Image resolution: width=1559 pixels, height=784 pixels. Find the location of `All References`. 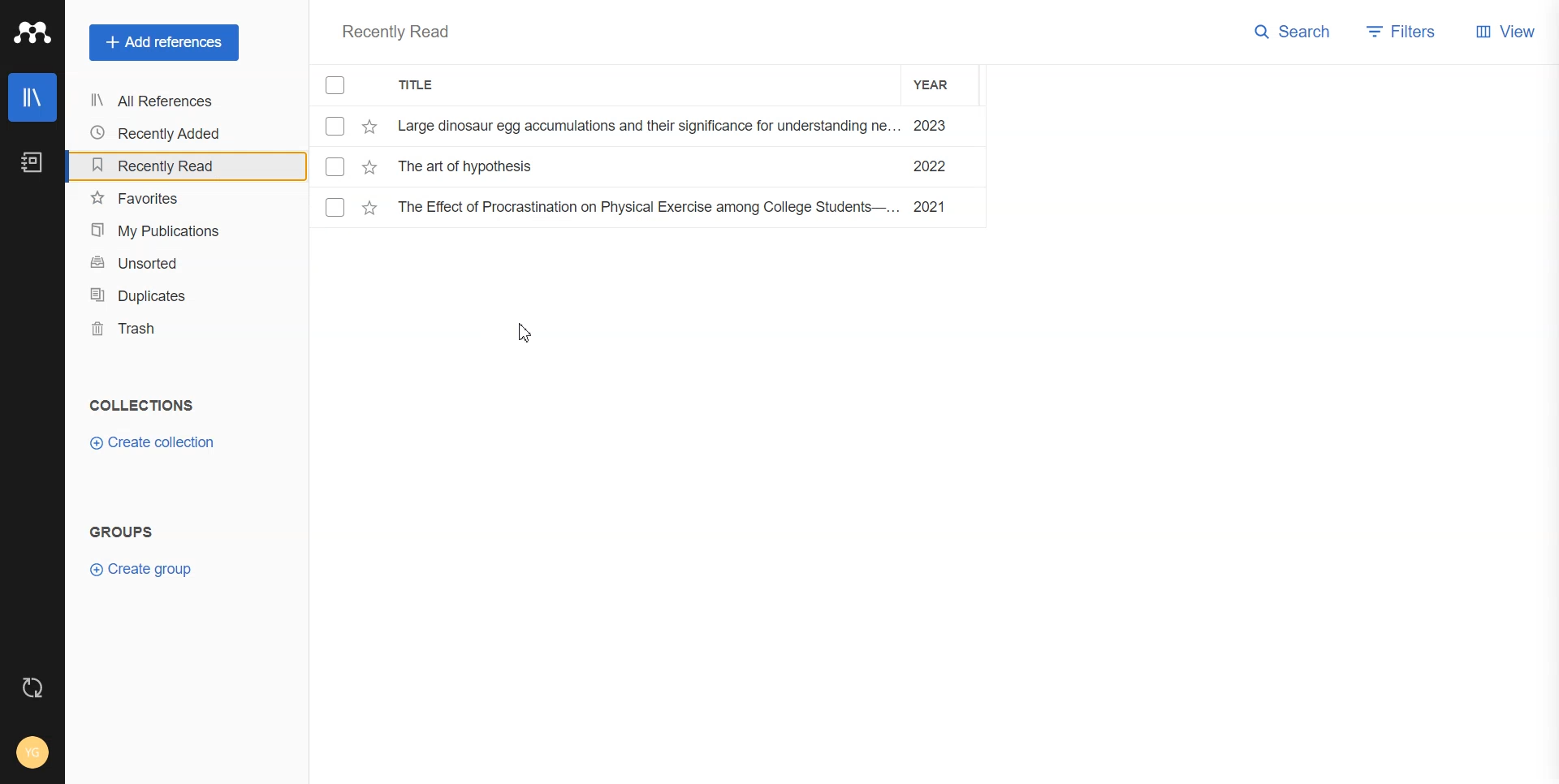

All References is located at coordinates (167, 102).